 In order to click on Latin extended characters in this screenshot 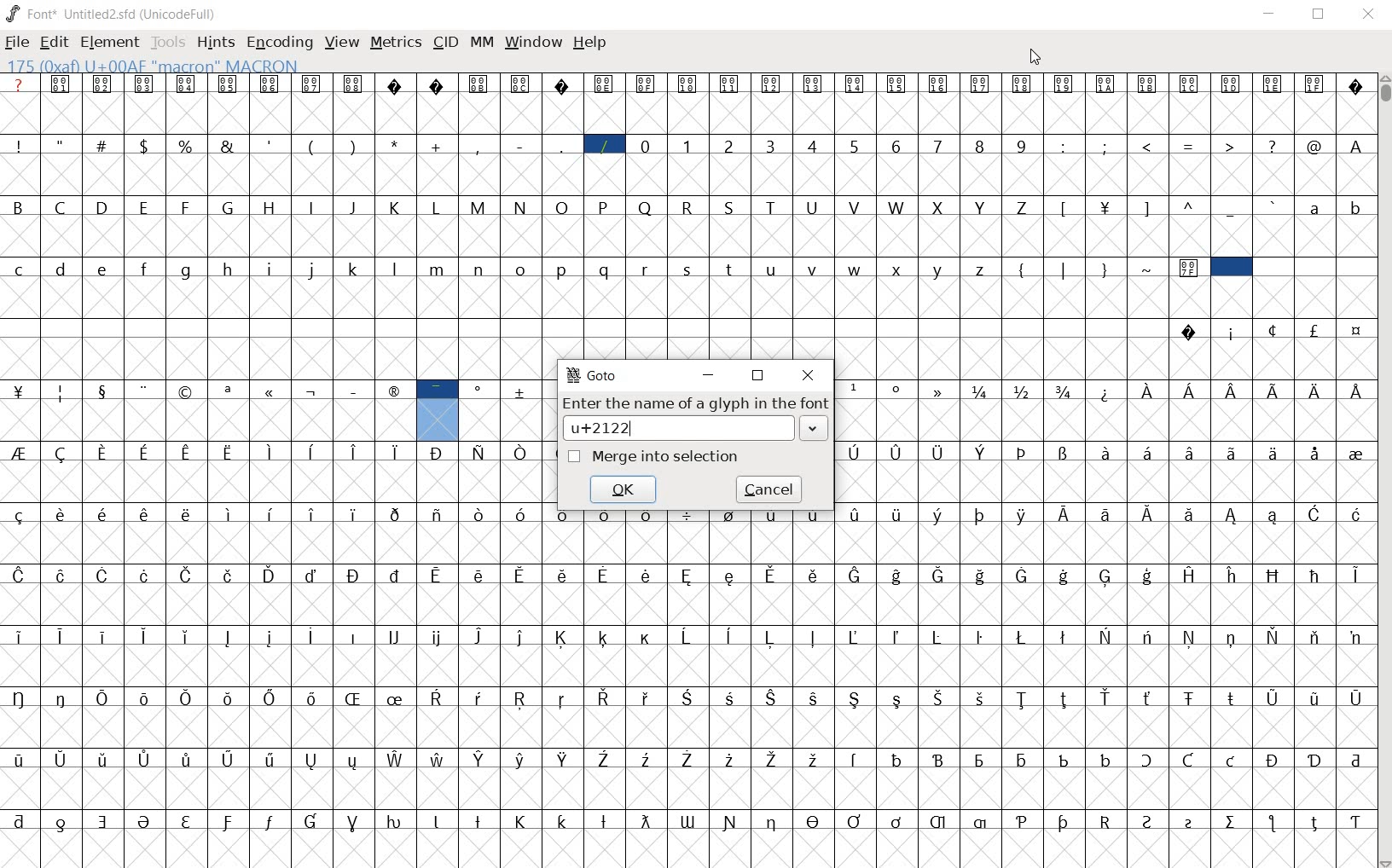, I will do `click(1209, 534)`.